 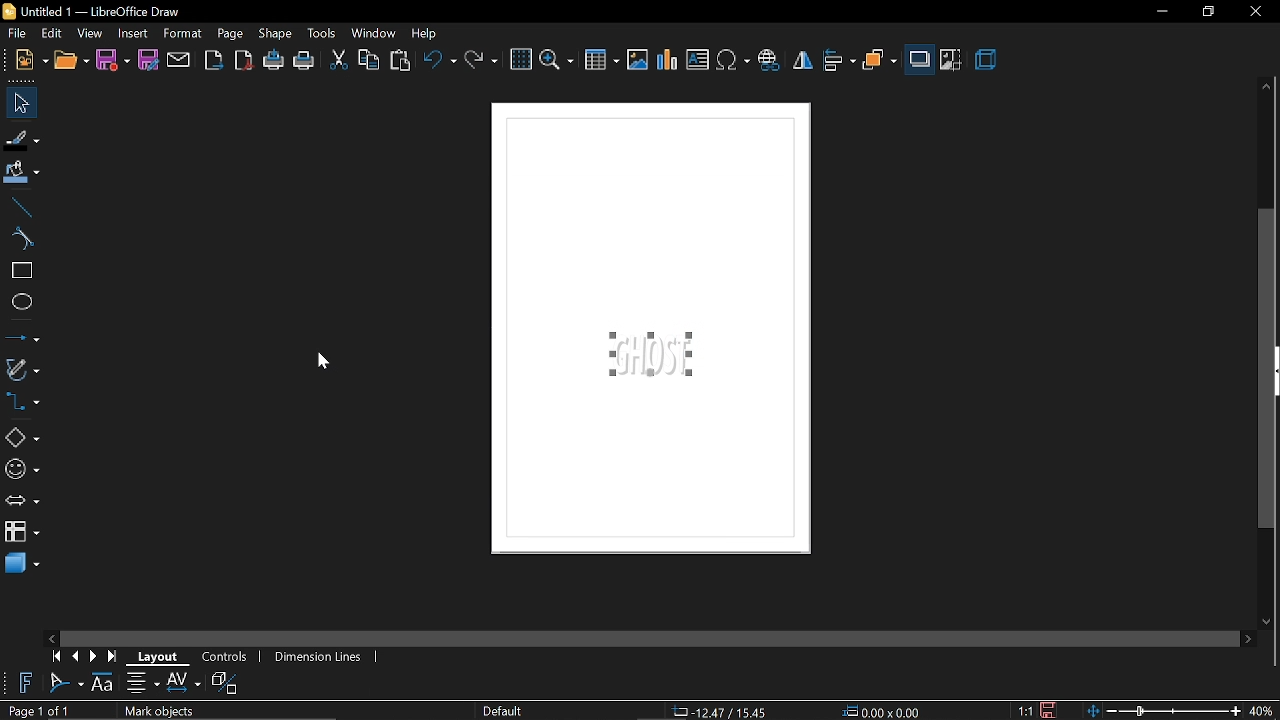 What do you see at coordinates (950, 61) in the screenshot?
I see `crop` at bounding box center [950, 61].